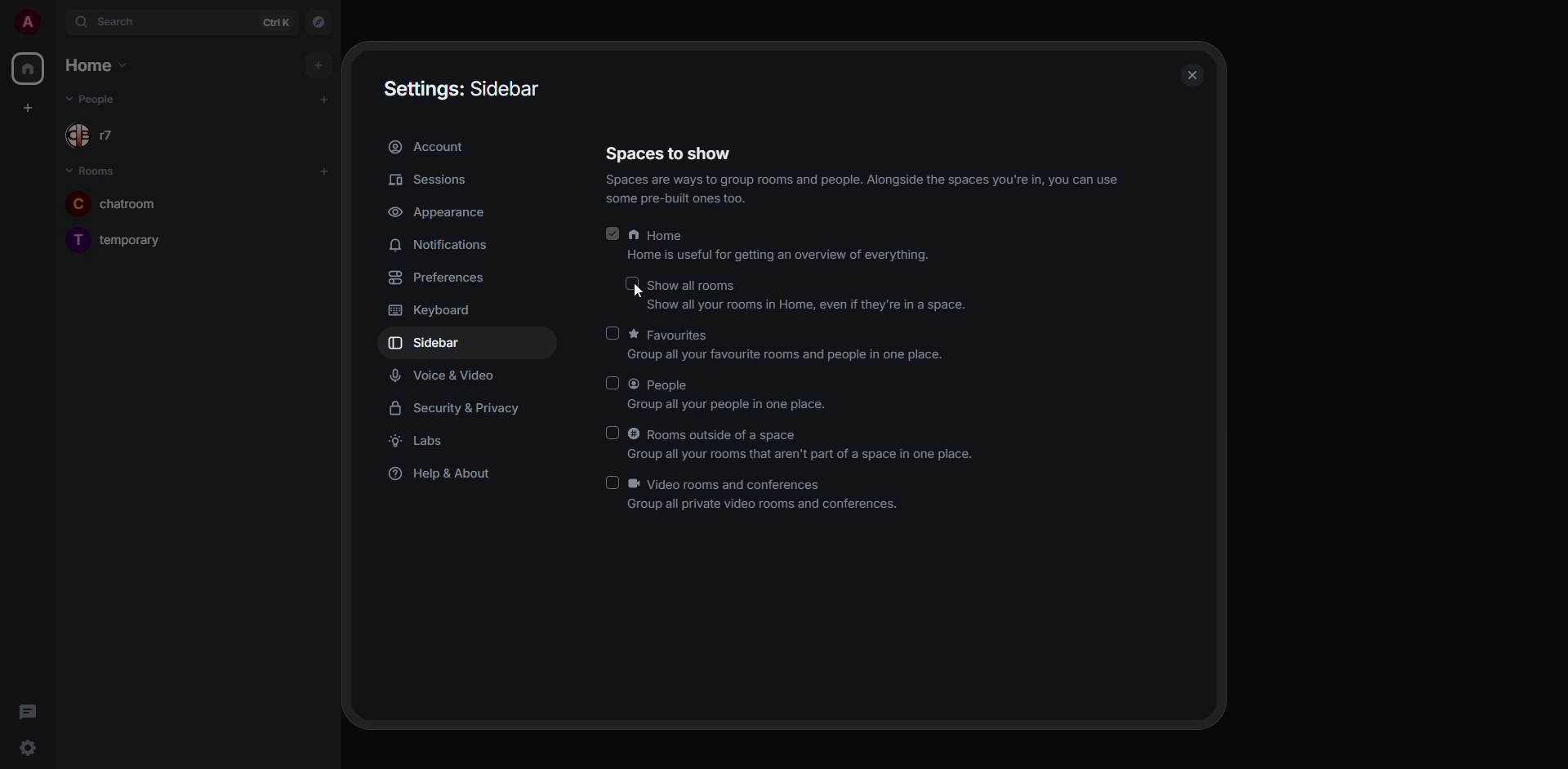 The width and height of the screenshot is (1568, 769). Describe the element at coordinates (616, 333) in the screenshot. I see `click to enable` at that location.